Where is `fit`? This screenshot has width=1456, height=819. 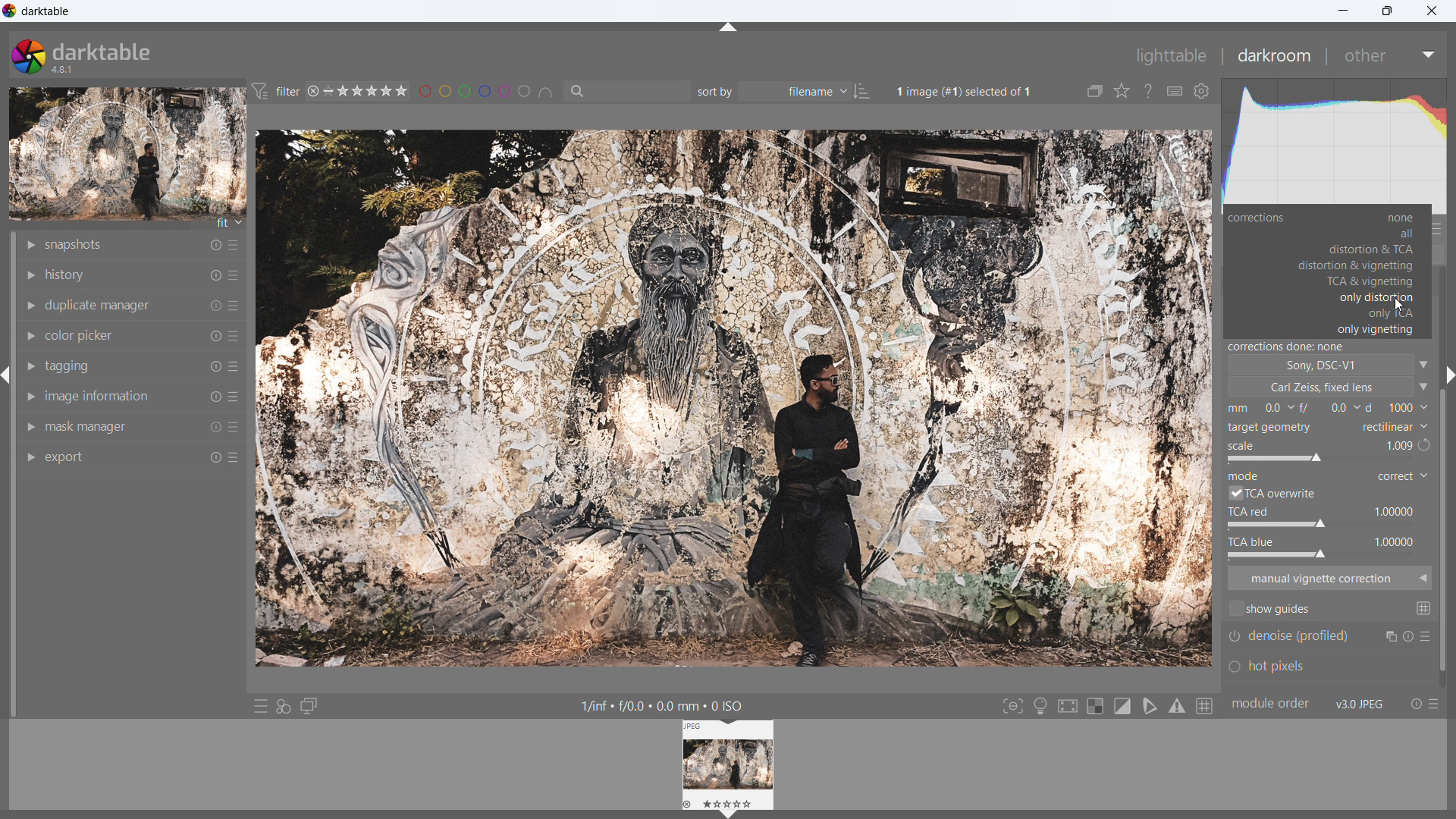 fit is located at coordinates (227, 223).